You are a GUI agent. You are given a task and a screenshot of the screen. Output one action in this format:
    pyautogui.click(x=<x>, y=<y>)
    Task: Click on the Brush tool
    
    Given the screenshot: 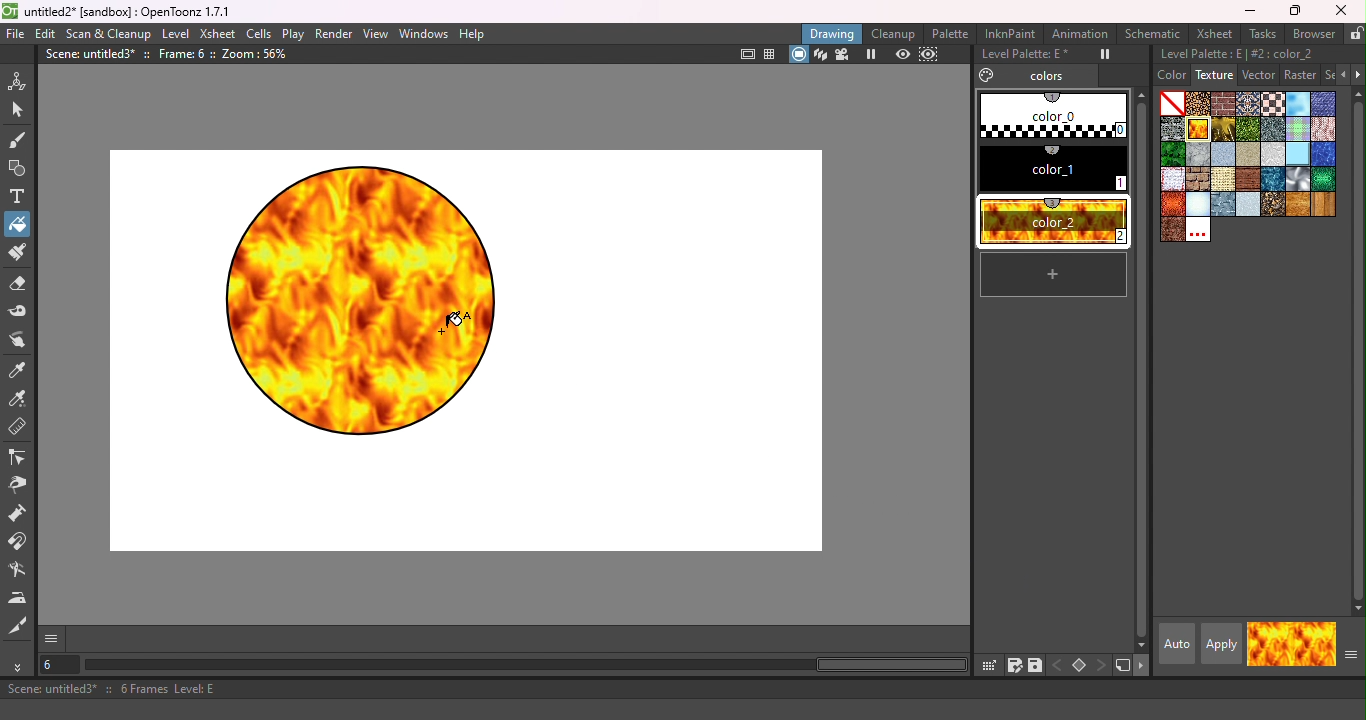 What is the action you would take?
    pyautogui.click(x=19, y=140)
    